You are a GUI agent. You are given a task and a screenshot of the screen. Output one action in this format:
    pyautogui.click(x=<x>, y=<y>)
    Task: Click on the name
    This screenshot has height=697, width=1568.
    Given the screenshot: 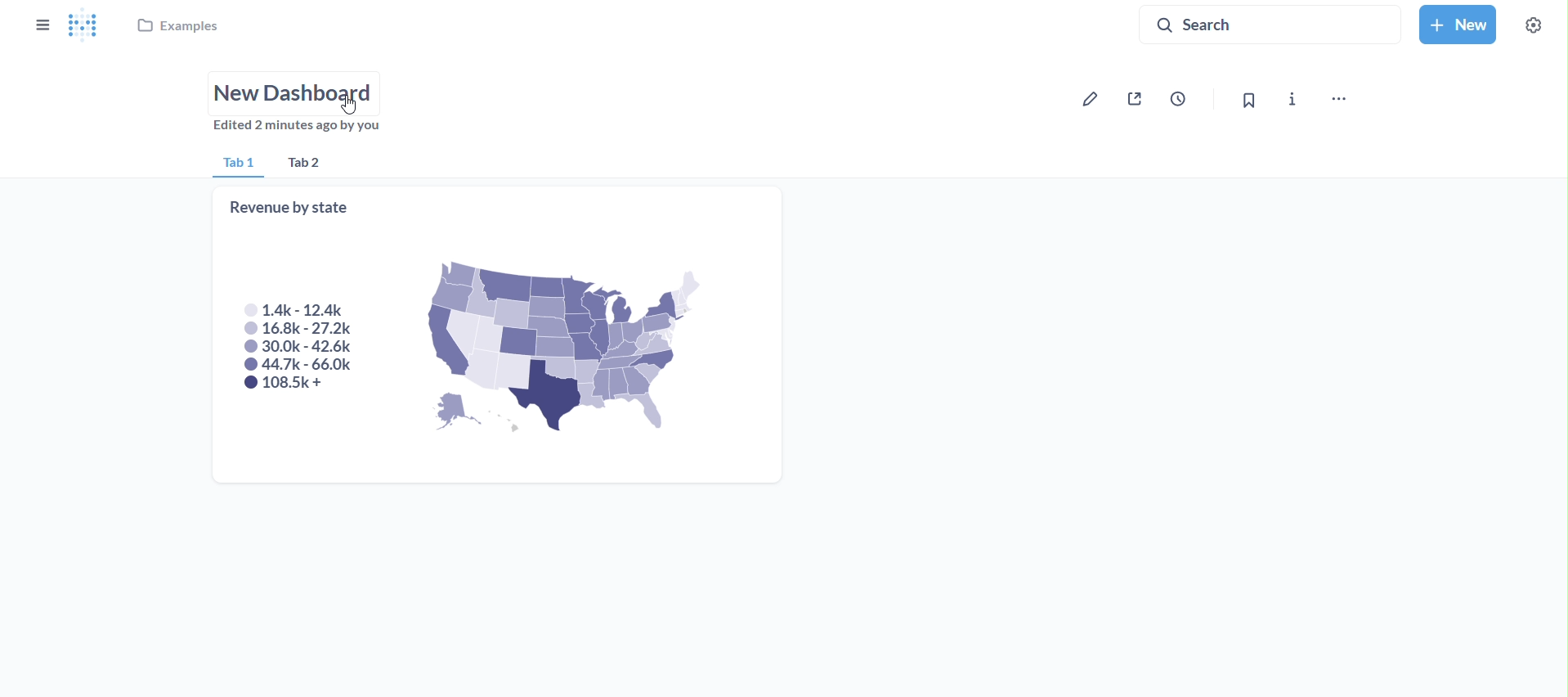 What is the action you would take?
    pyautogui.click(x=297, y=88)
    